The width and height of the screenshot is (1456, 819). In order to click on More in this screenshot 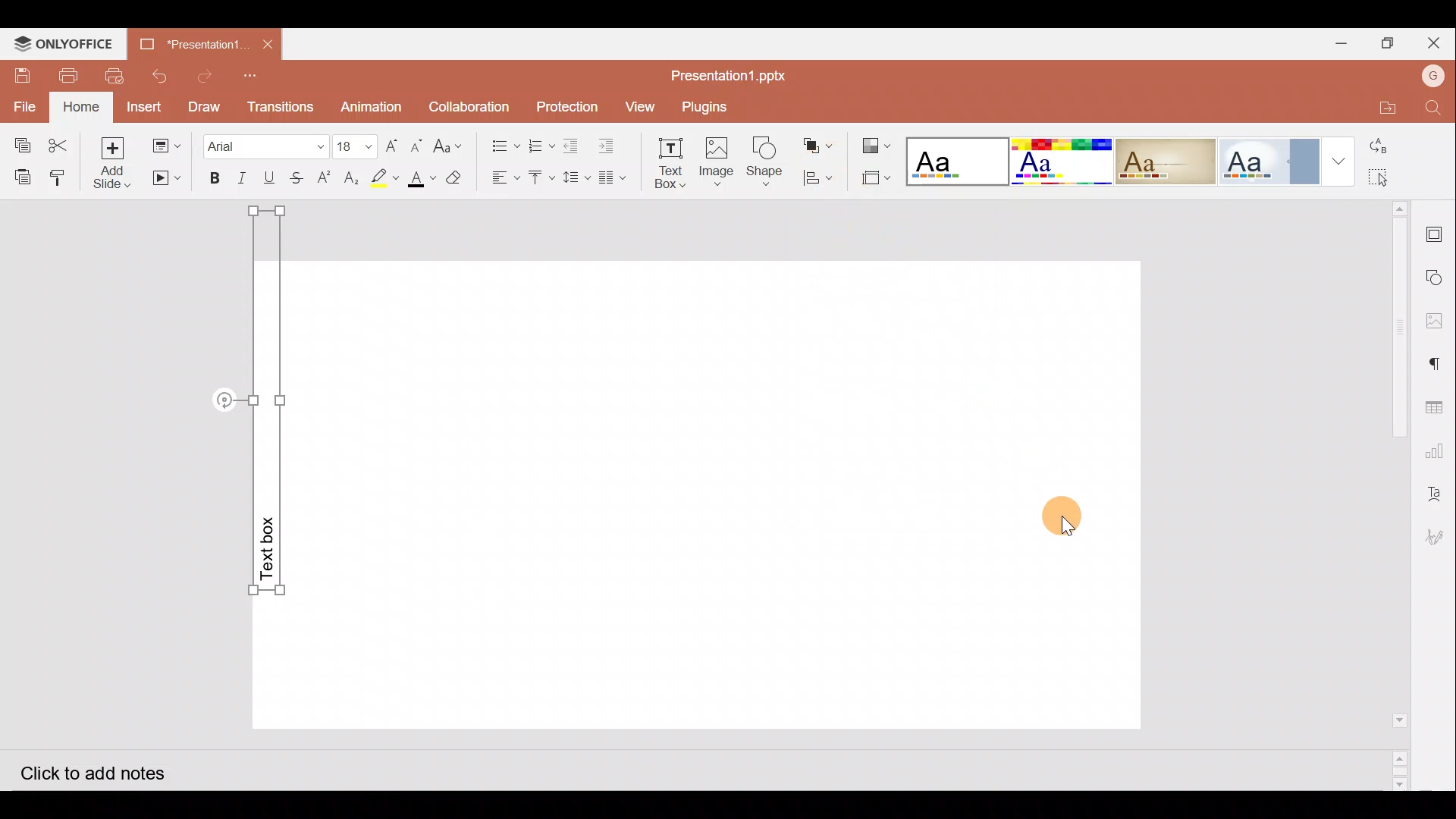, I will do `click(1333, 158)`.